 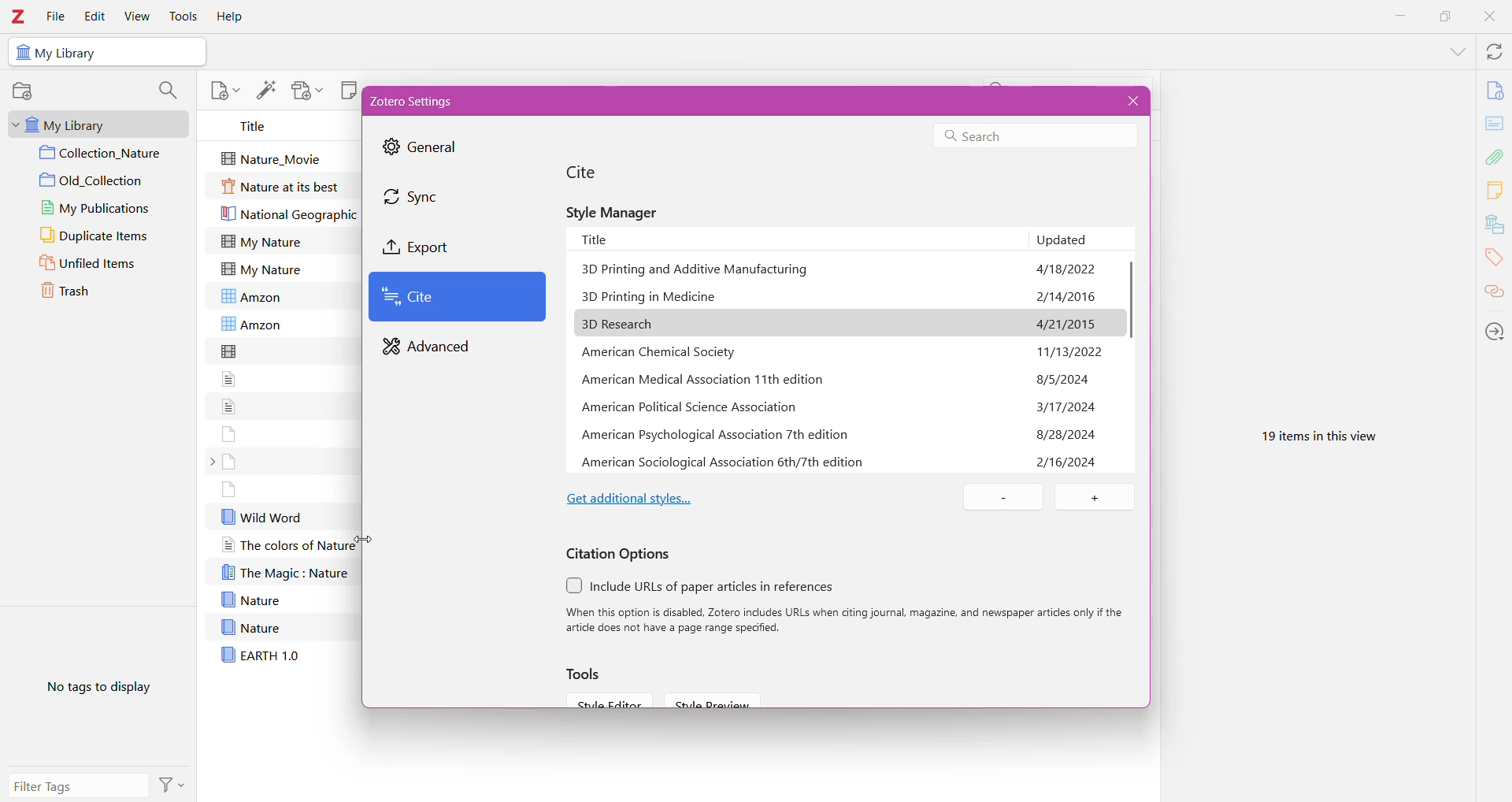 What do you see at coordinates (91, 294) in the screenshot?
I see `Trash` at bounding box center [91, 294].